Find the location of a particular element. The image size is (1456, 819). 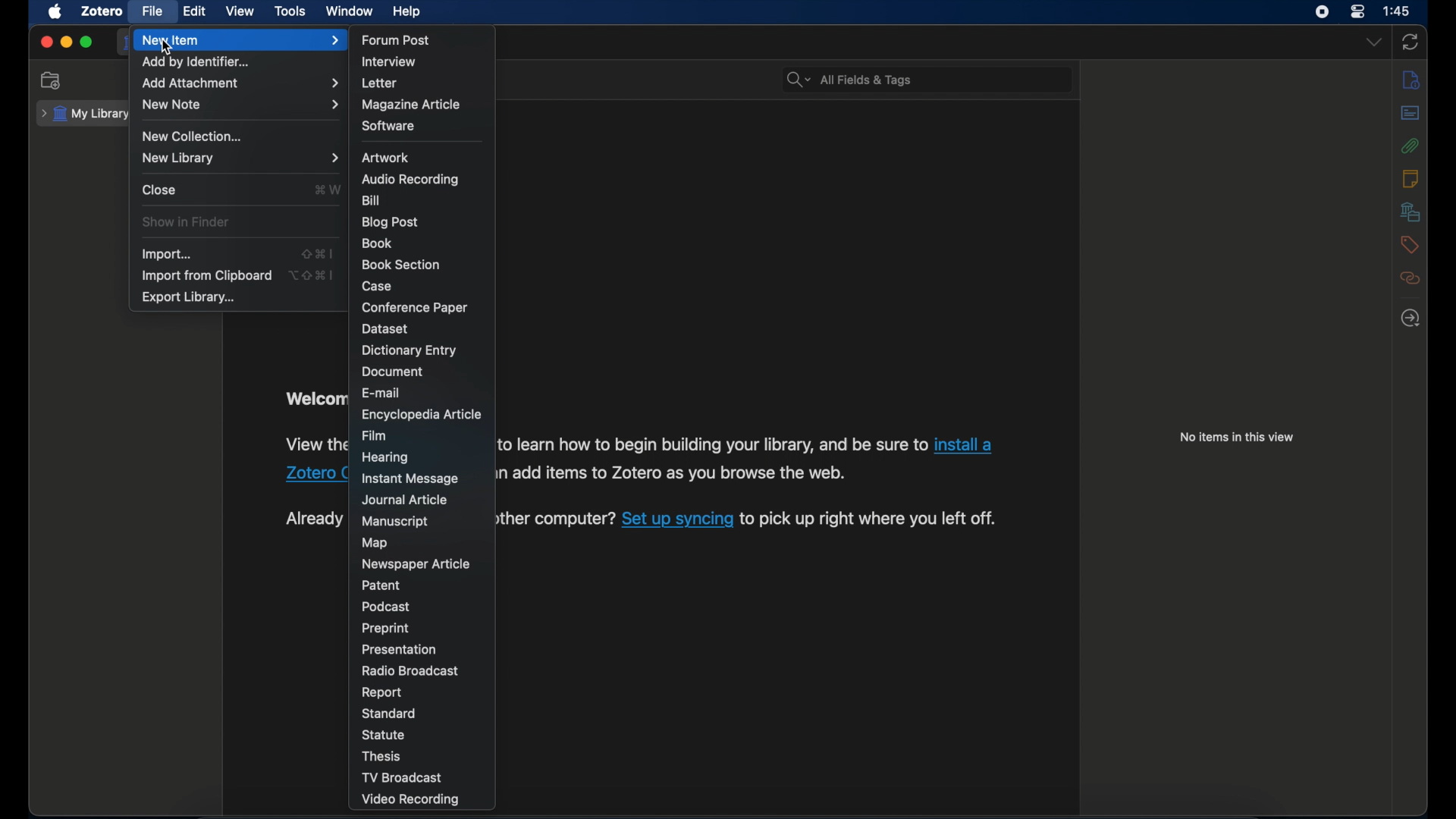

1:45 is located at coordinates (1398, 11).